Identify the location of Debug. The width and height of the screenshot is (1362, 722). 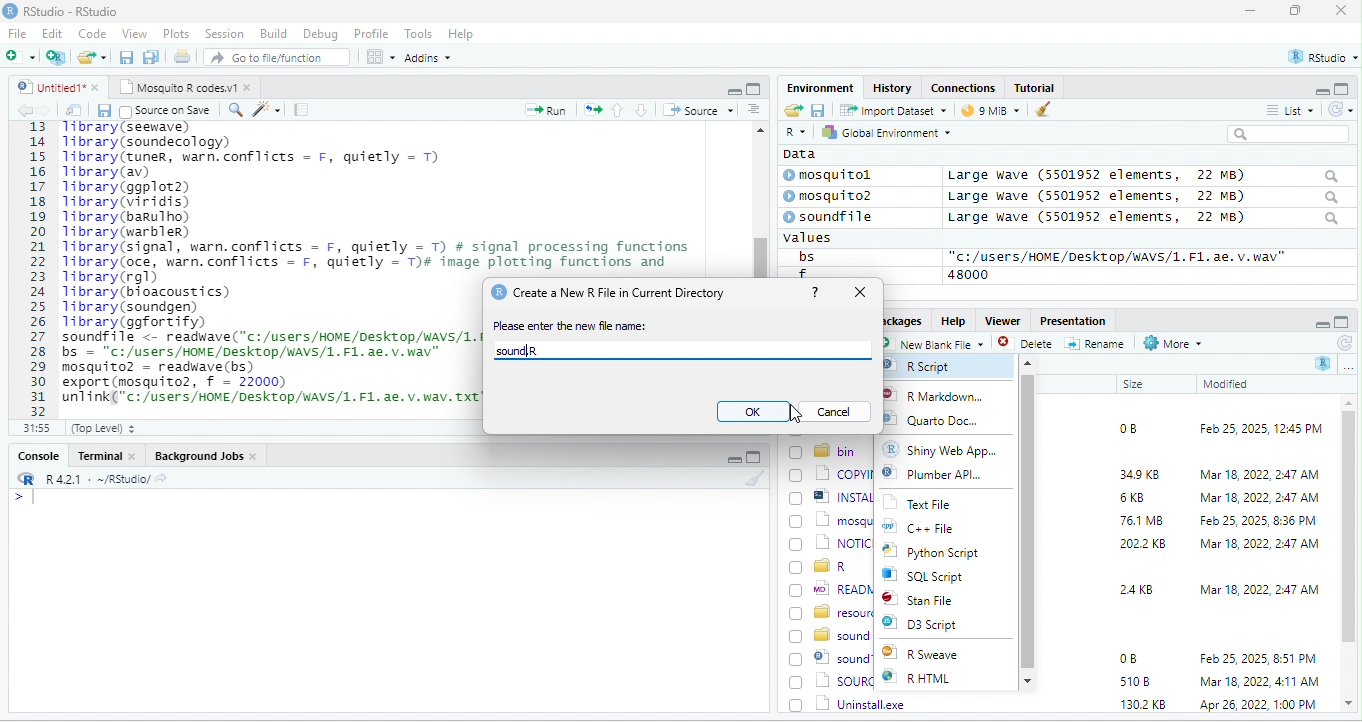
(320, 33).